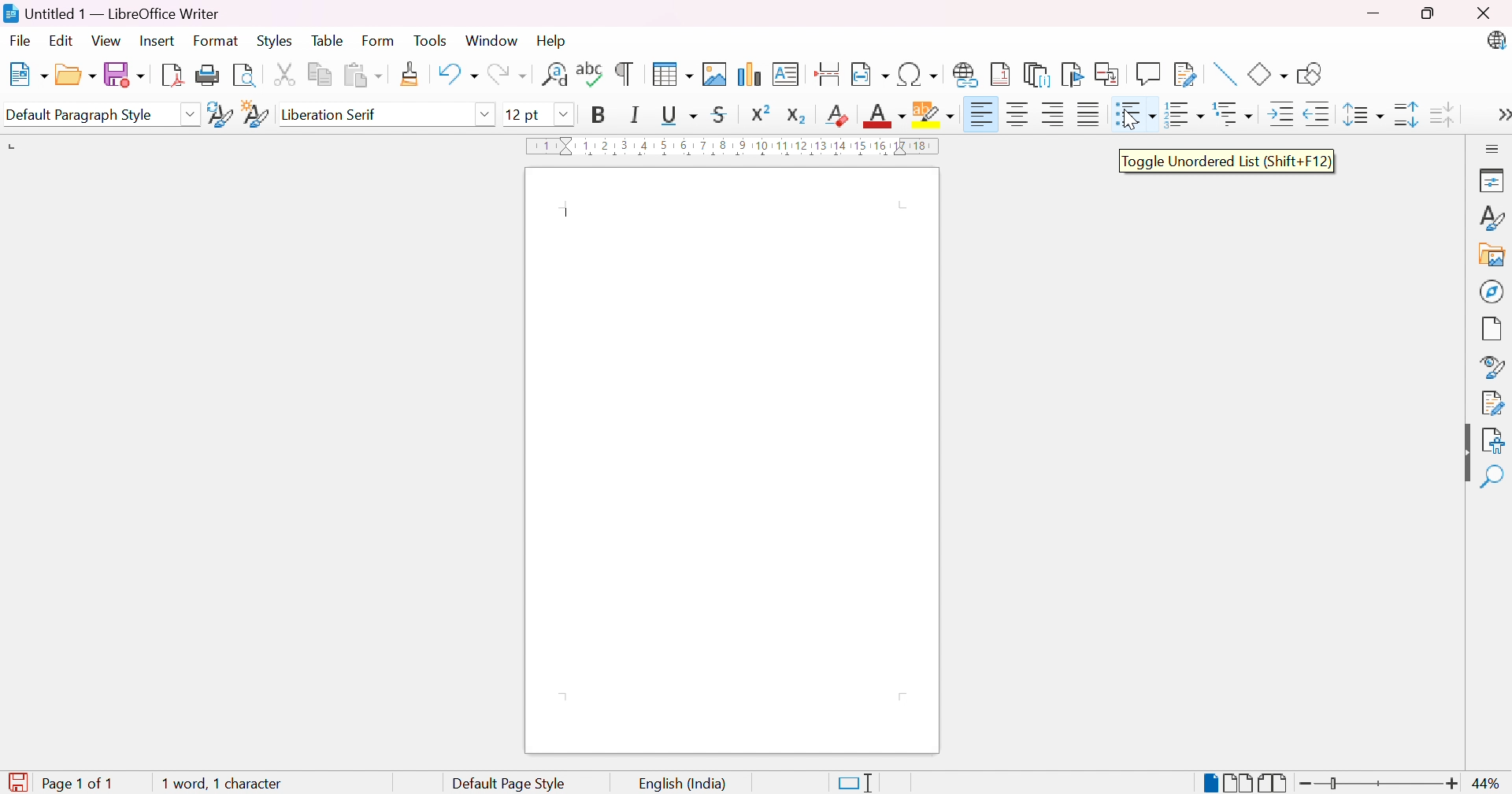  I want to click on Show draw functions, so click(1311, 74).